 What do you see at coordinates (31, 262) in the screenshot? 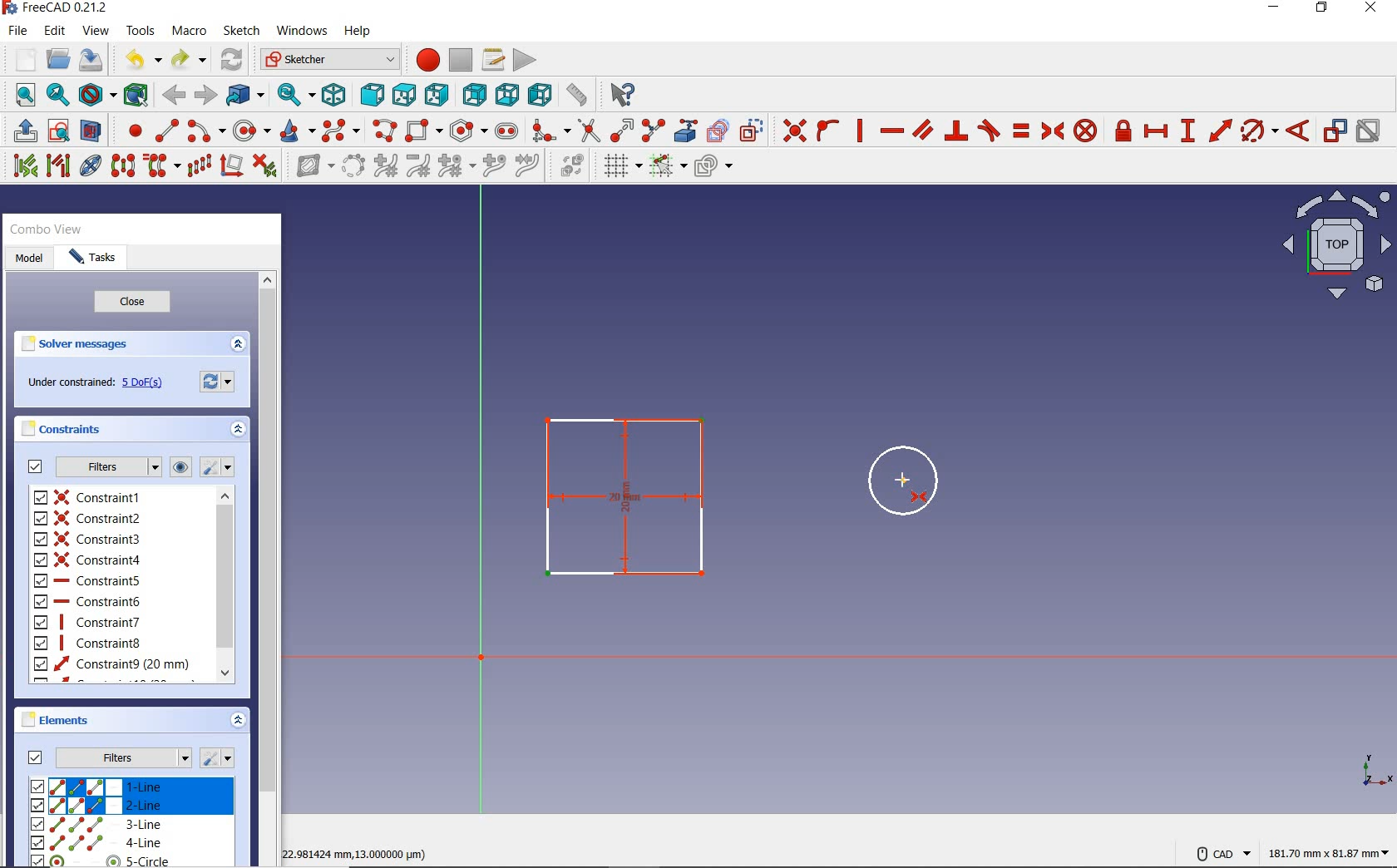
I see `model` at bounding box center [31, 262].